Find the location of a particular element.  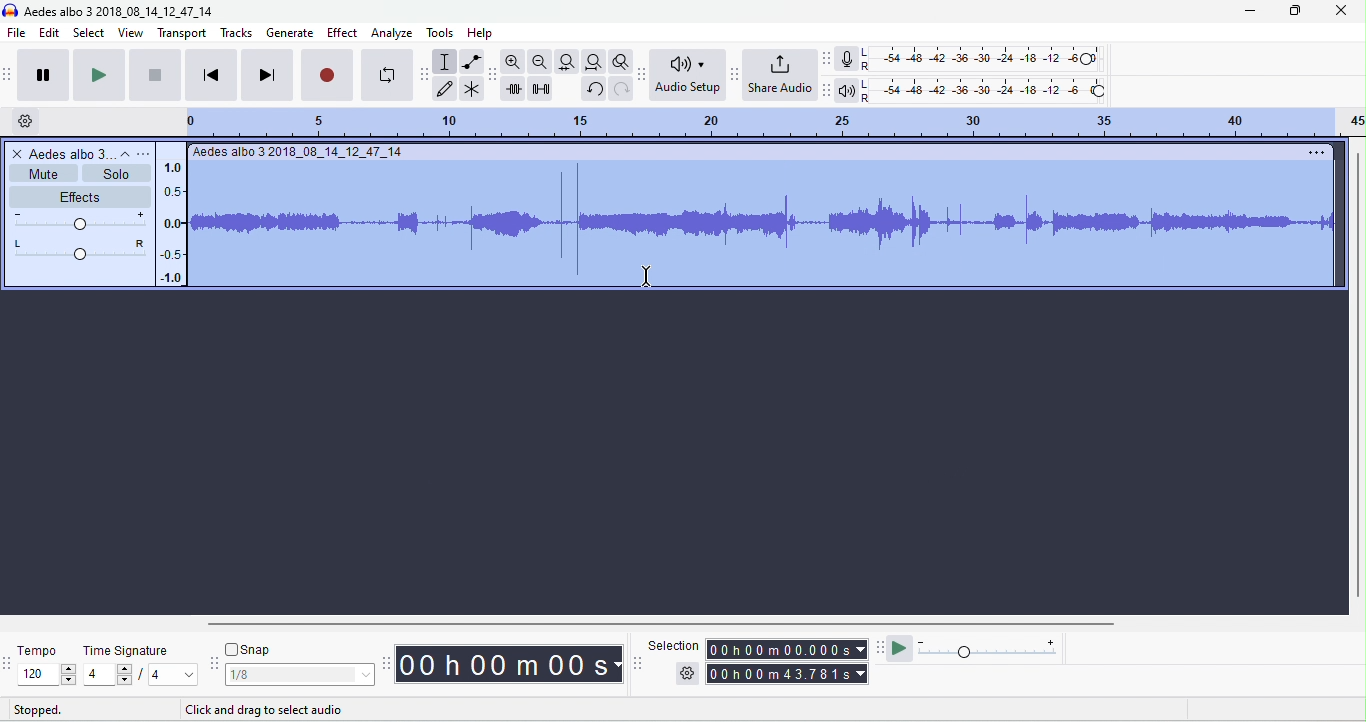

playback meter toolbar is located at coordinates (830, 91).